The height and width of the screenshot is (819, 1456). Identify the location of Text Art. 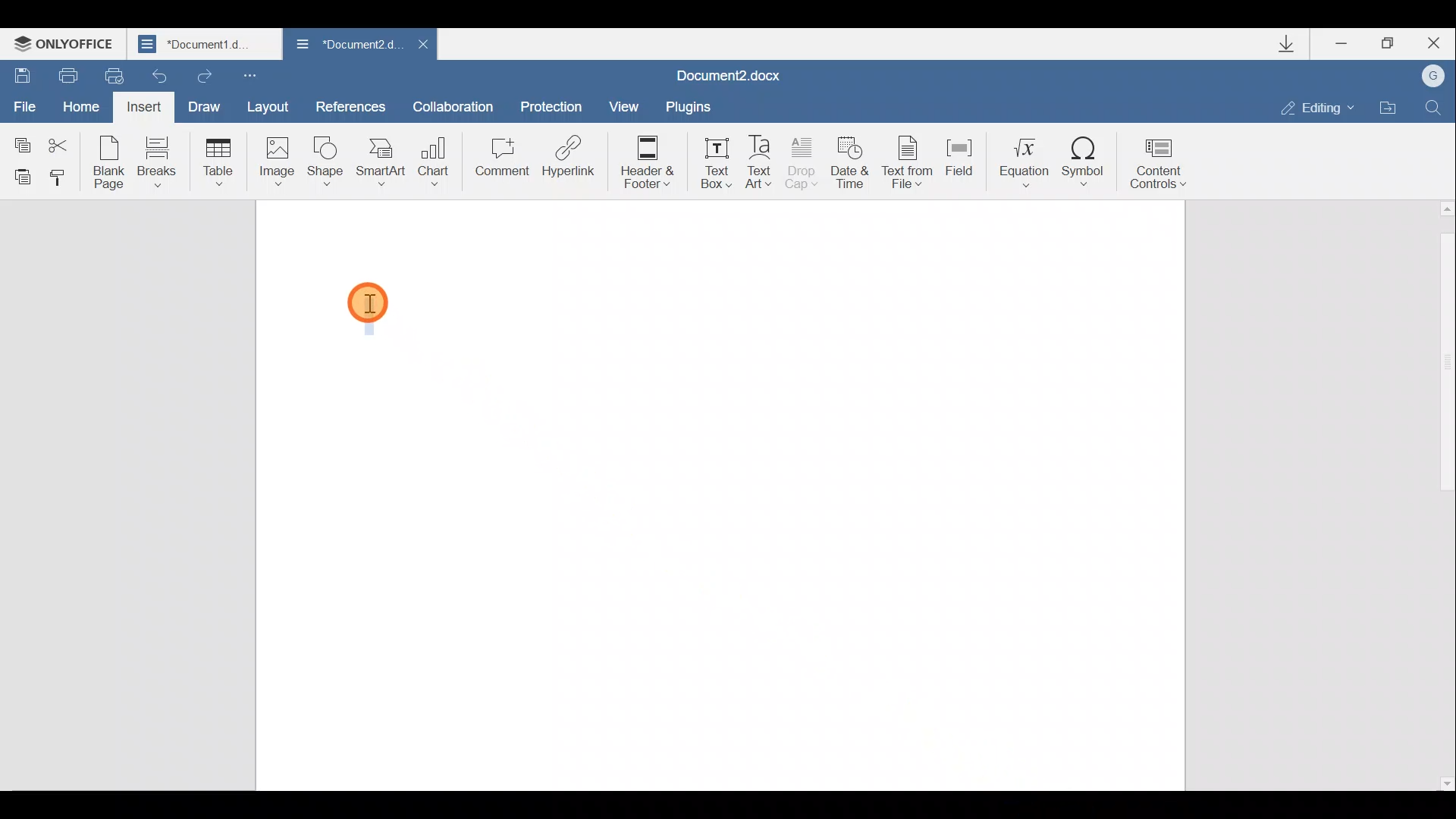
(760, 163).